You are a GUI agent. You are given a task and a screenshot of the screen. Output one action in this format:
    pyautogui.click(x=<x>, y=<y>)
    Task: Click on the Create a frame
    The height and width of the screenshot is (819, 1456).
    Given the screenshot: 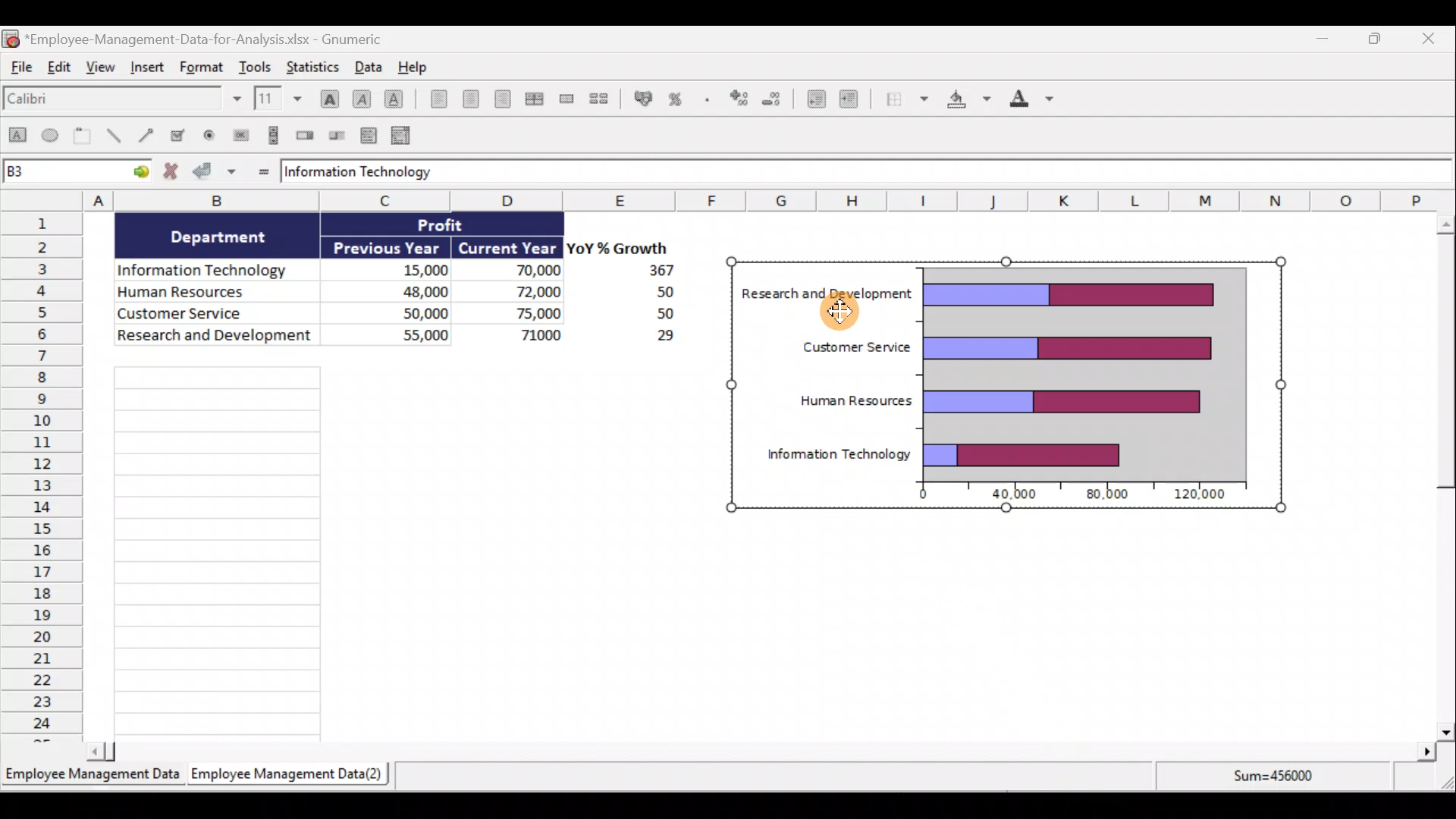 What is the action you would take?
    pyautogui.click(x=86, y=137)
    